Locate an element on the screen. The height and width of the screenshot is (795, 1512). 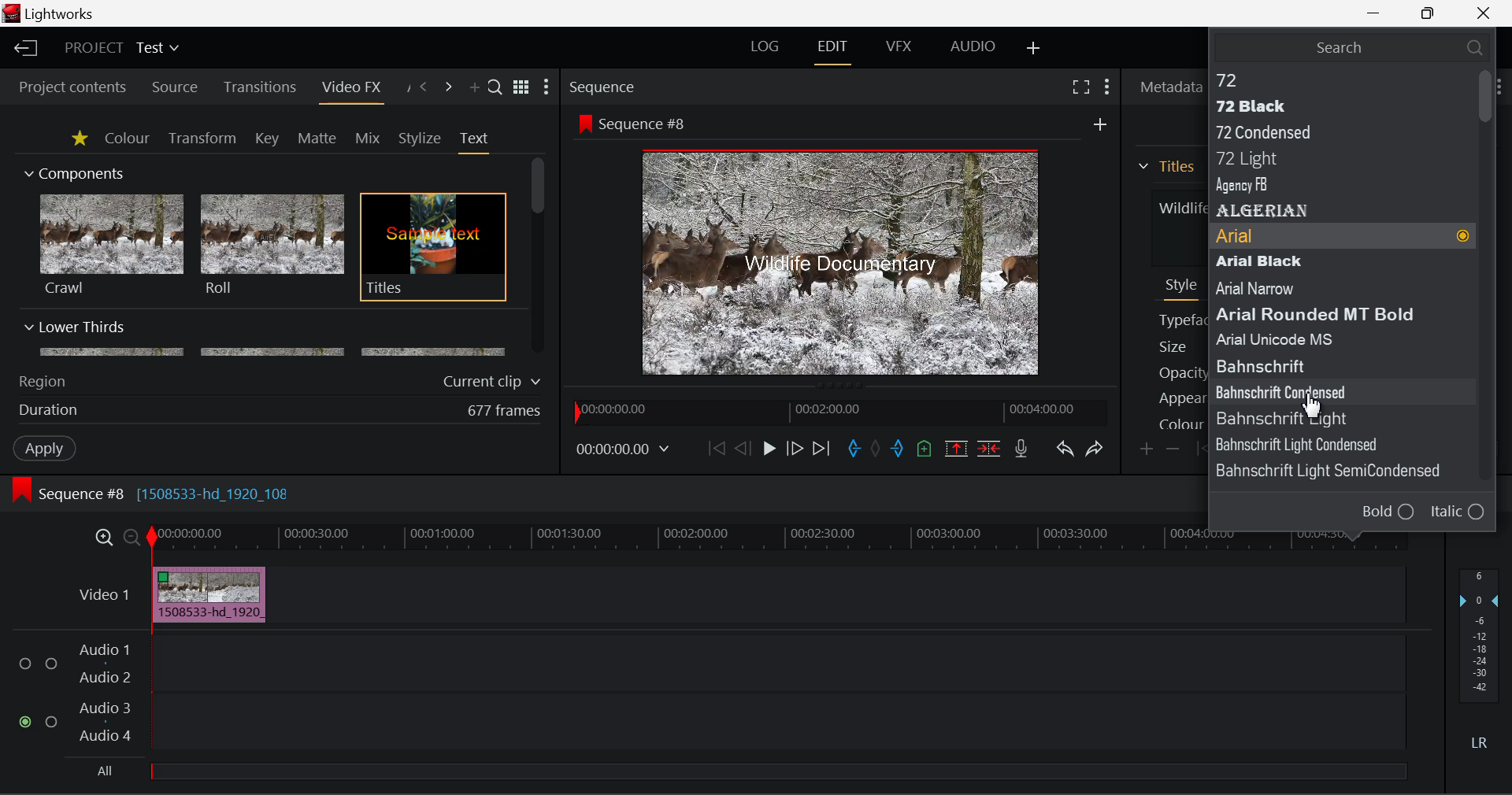
All is located at coordinates (106, 771).